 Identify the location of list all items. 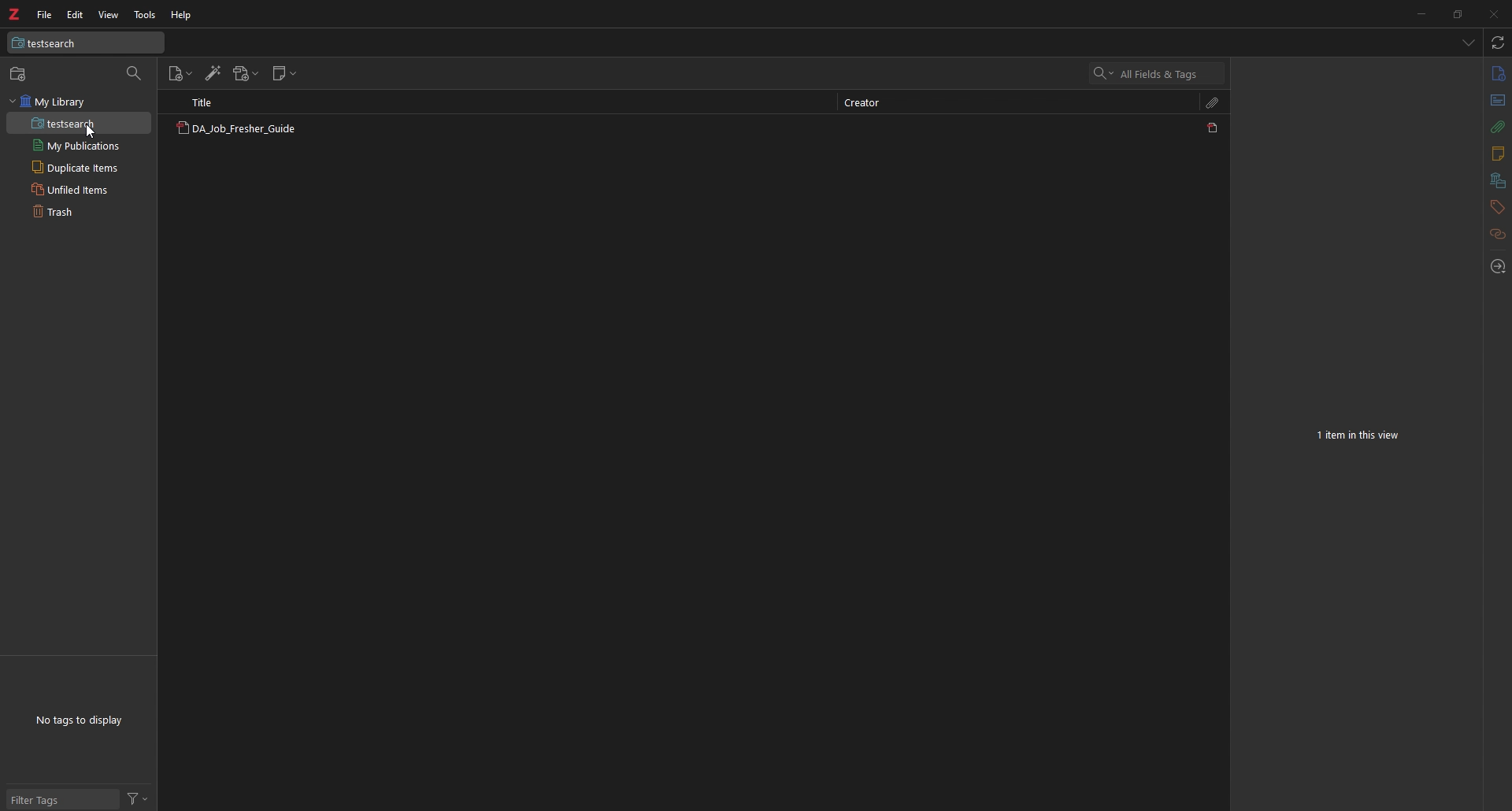
(1469, 42).